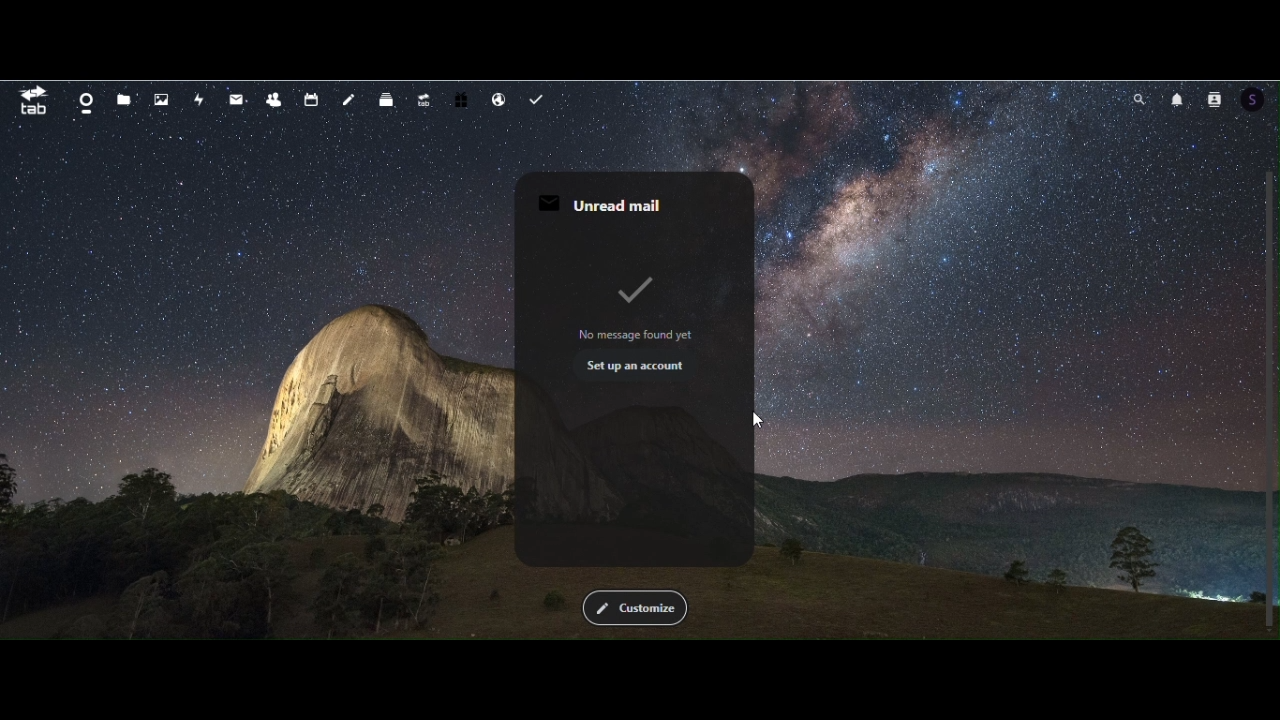 The width and height of the screenshot is (1280, 720). Describe the element at coordinates (237, 99) in the screenshot. I see `mail` at that location.